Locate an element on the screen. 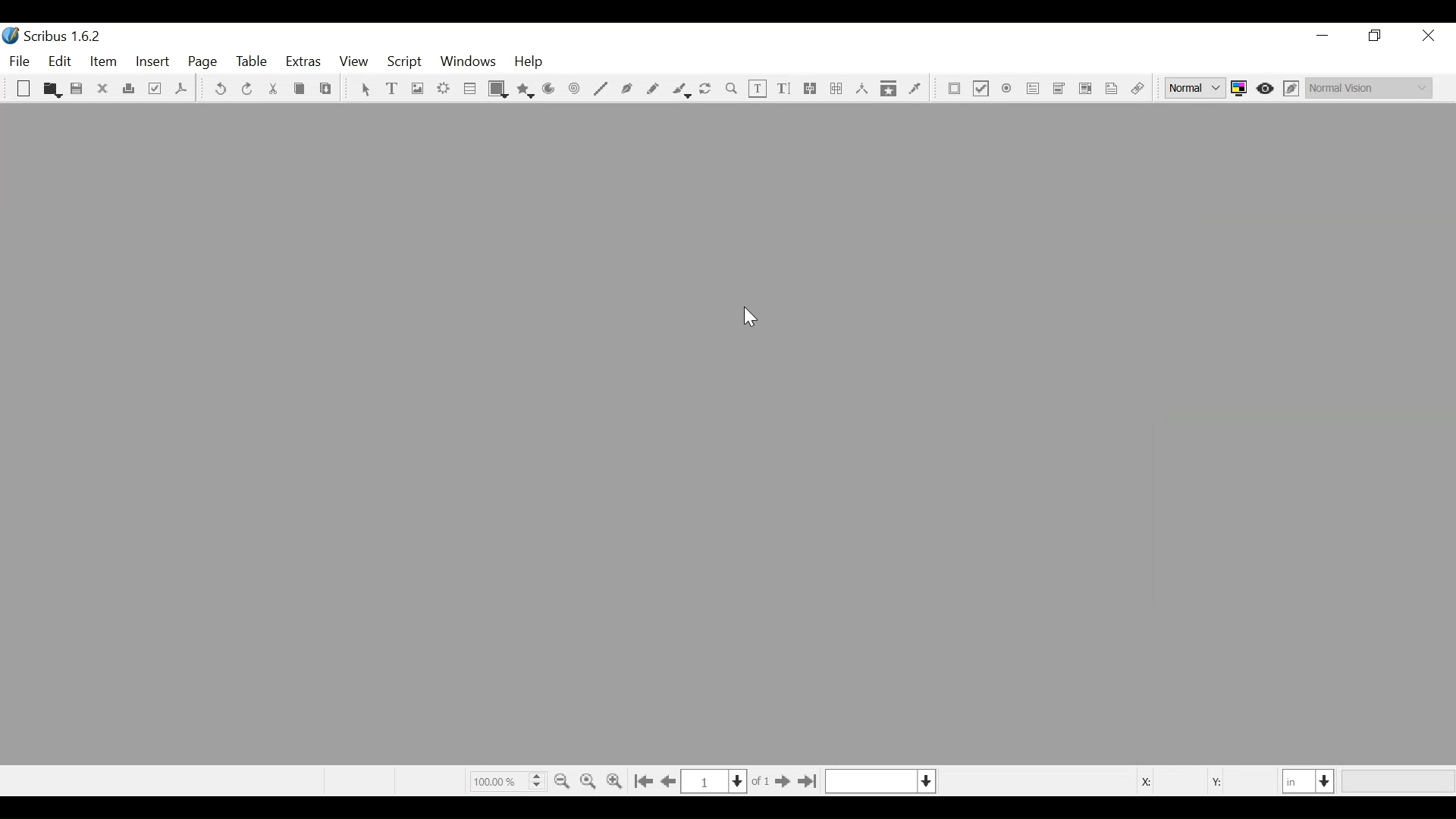 The image size is (1456, 819). PDF List Box is located at coordinates (1059, 89).